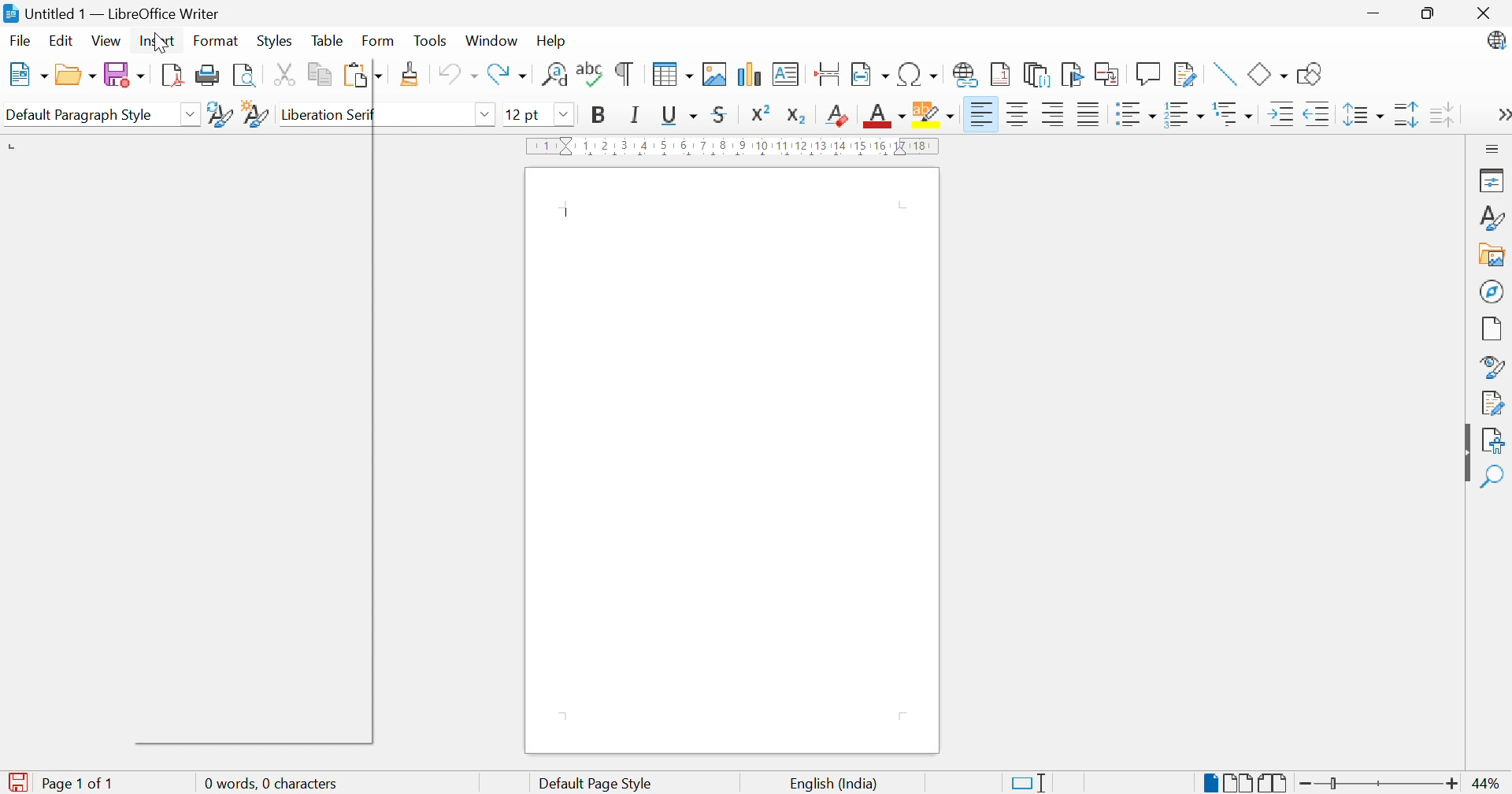 The width and height of the screenshot is (1512, 794). What do you see at coordinates (175, 77) in the screenshot?
I see `Export directly as PDF` at bounding box center [175, 77].